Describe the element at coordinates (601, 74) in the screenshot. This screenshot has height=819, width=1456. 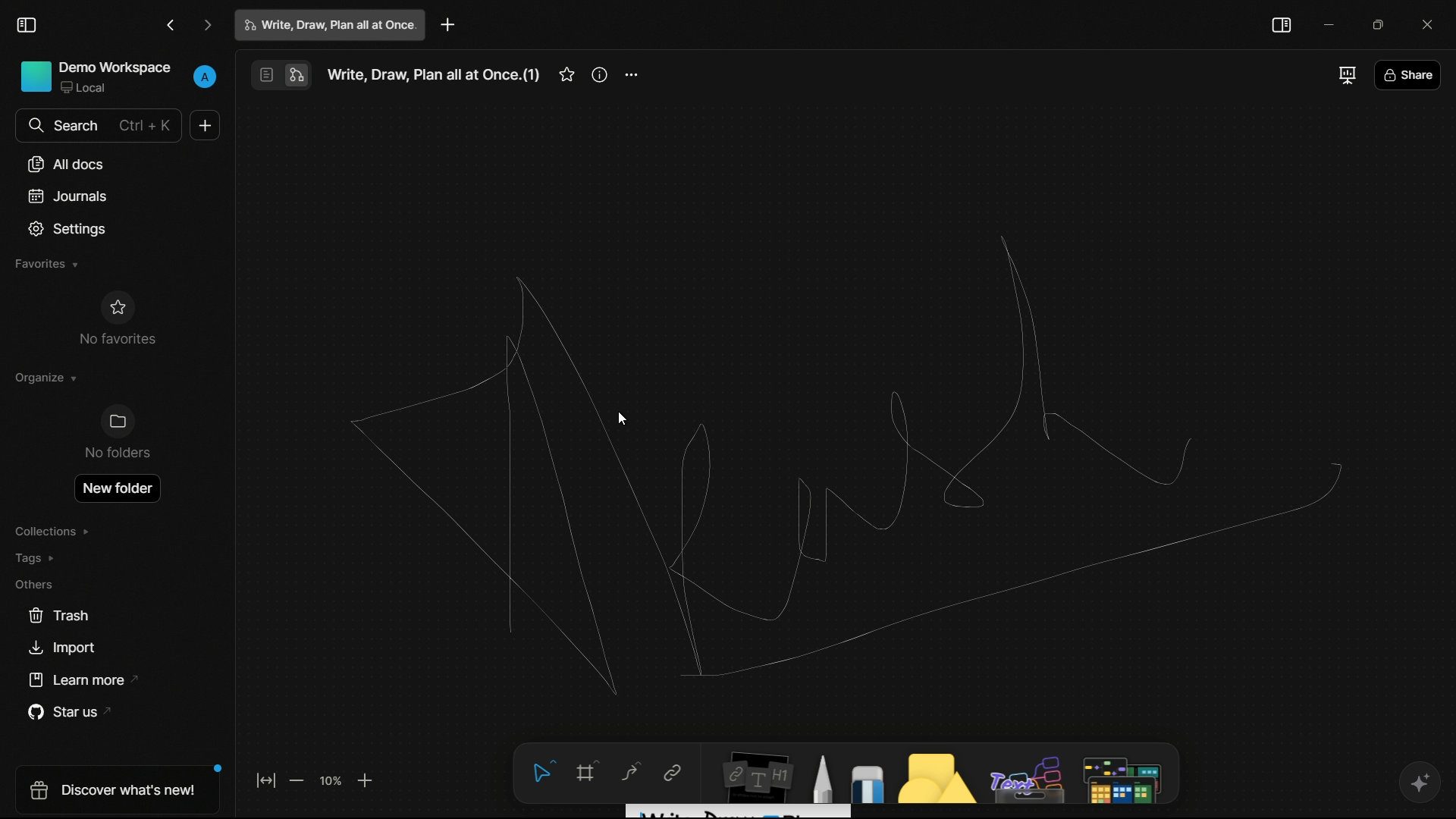
I see `more information` at that location.